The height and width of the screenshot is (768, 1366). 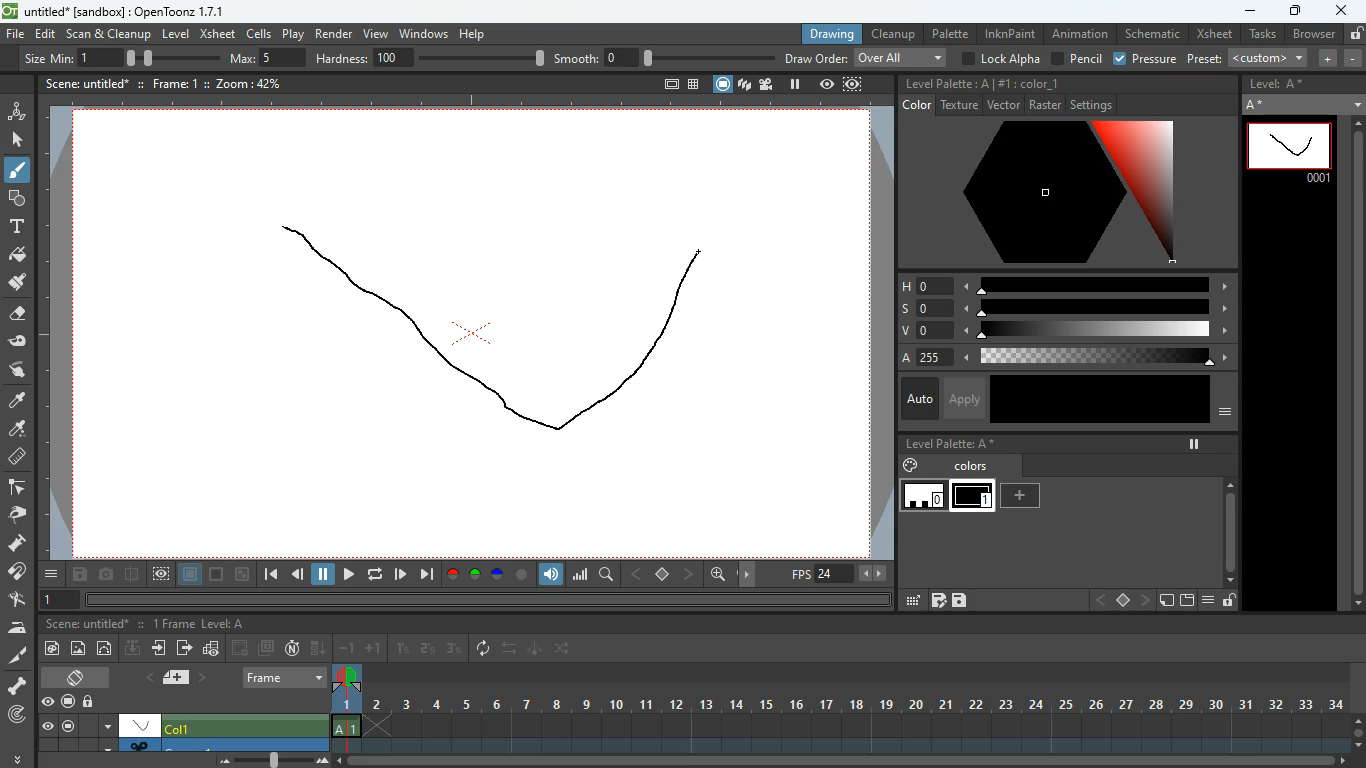 What do you see at coordinates (840, 574) in the screenshot?
I see `fps` at bounding box center [840, 574].